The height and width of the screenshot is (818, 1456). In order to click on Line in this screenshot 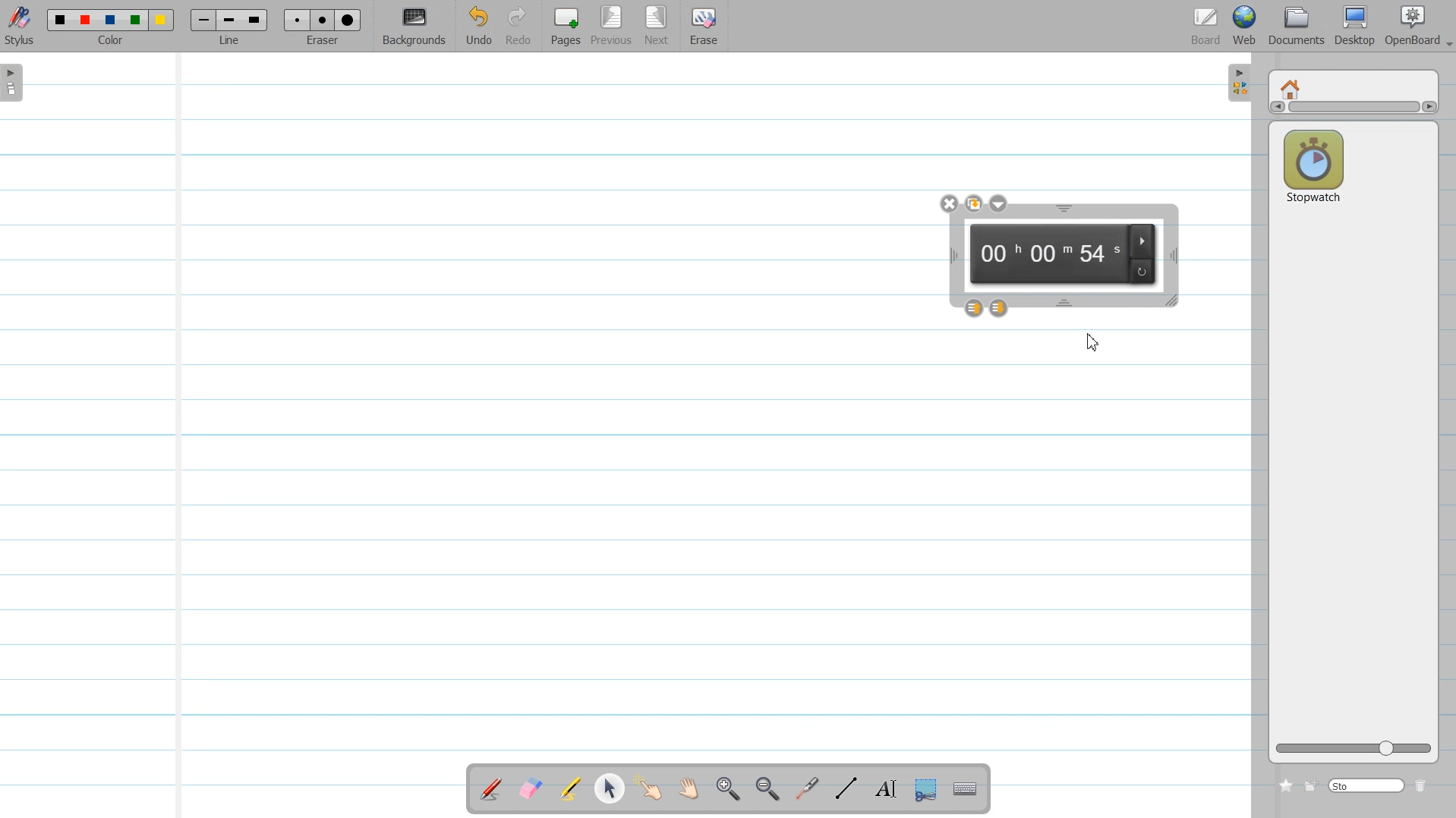, I will do `click(229, 27)`.